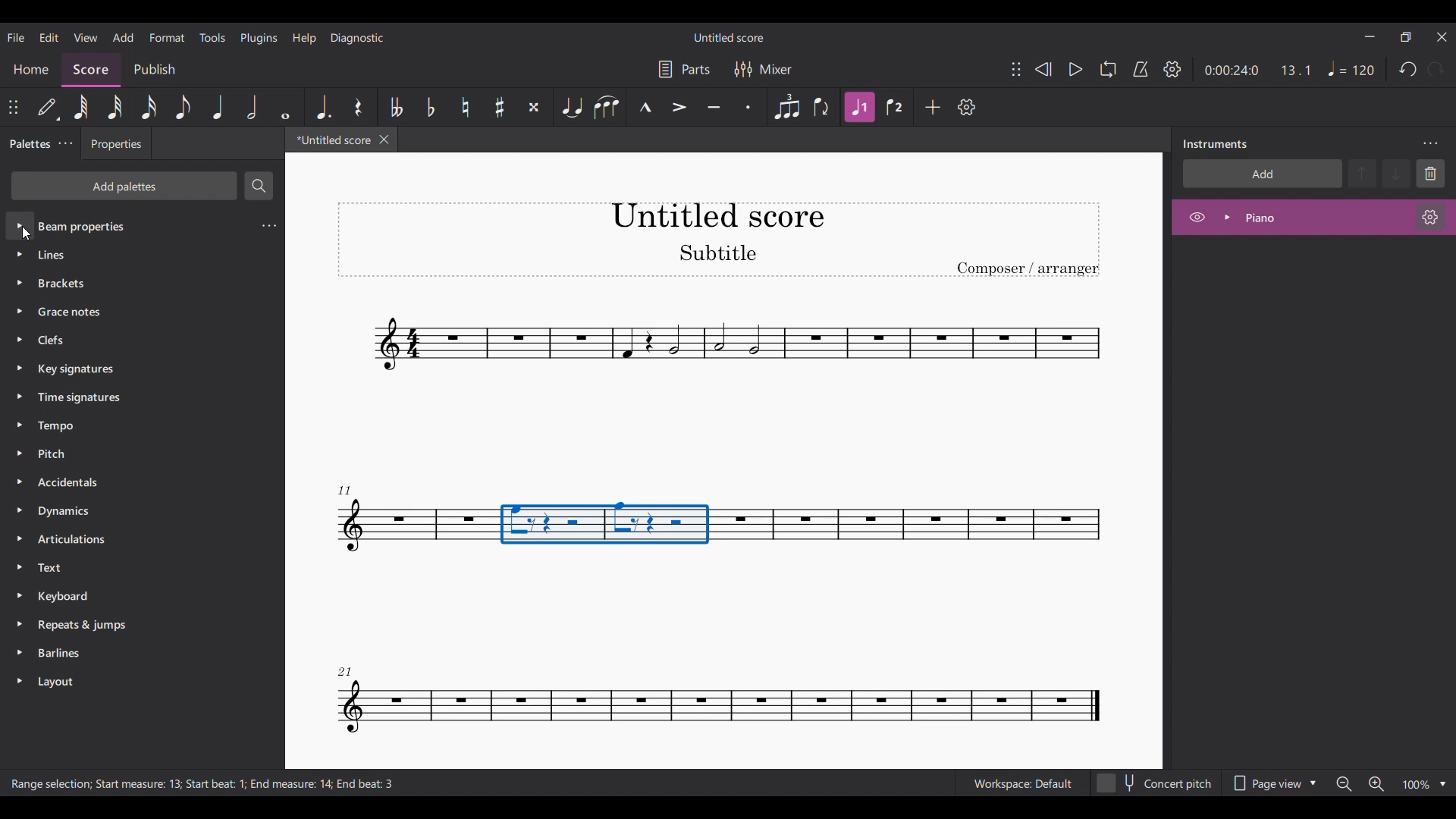  I want to click on Plugins menu, so click(259, 39).